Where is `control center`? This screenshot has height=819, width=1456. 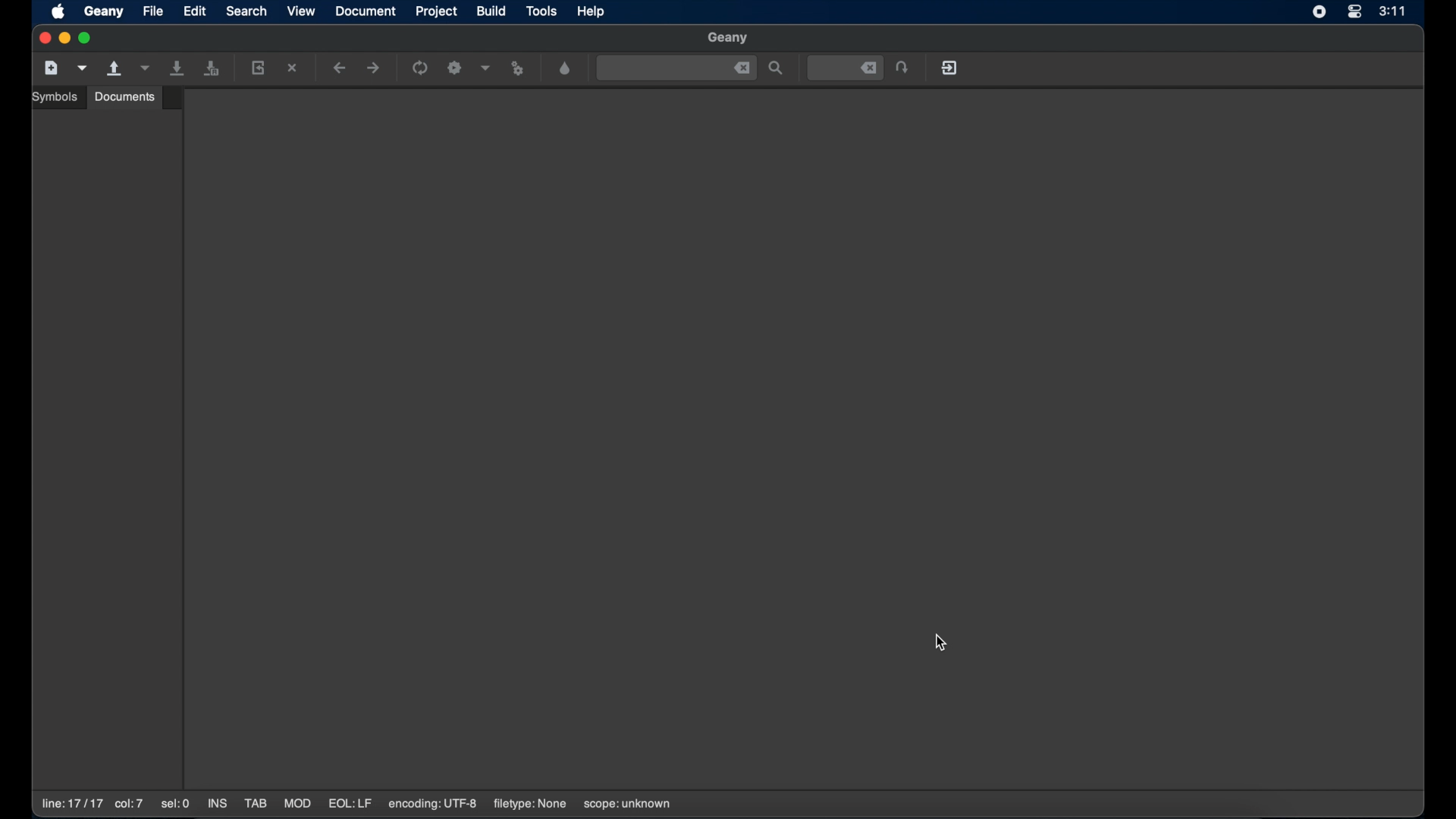
control center is located at coordinates (1354, 13).